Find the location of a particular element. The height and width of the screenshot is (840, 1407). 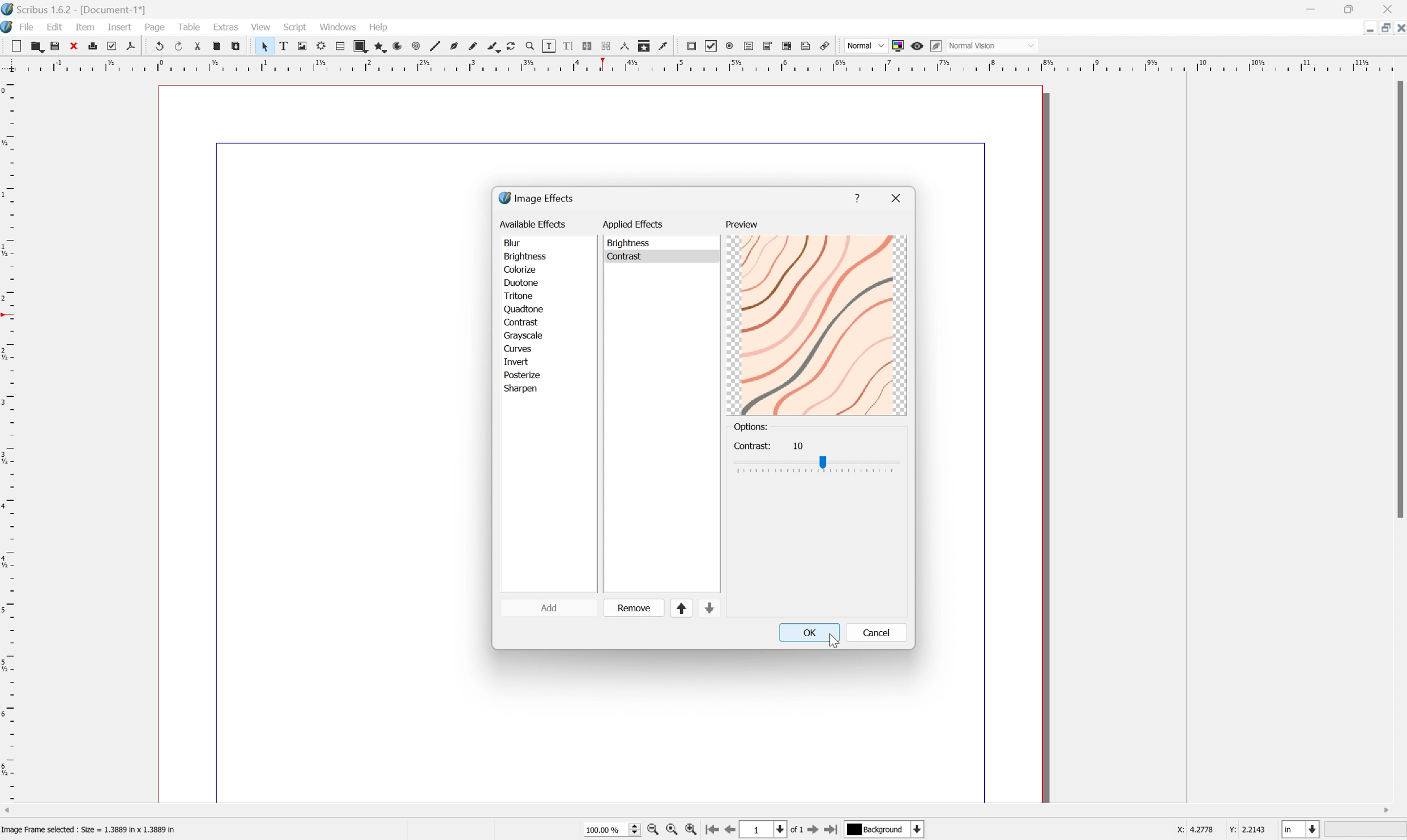

Contrast is located at coordinates (633, 256).